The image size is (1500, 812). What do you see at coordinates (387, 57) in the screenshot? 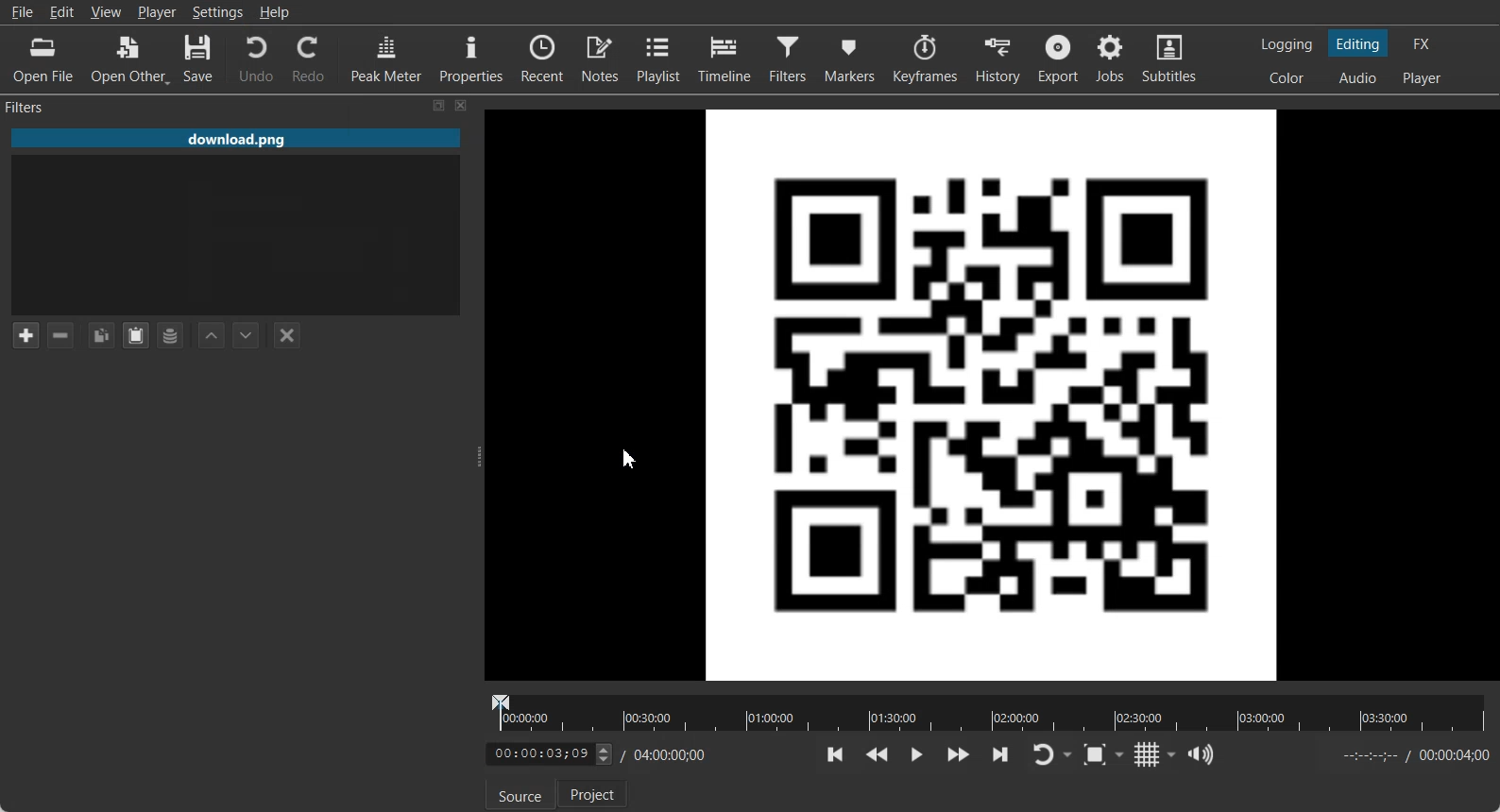
I see `Peak Meter` at bounding box center [387, 57].